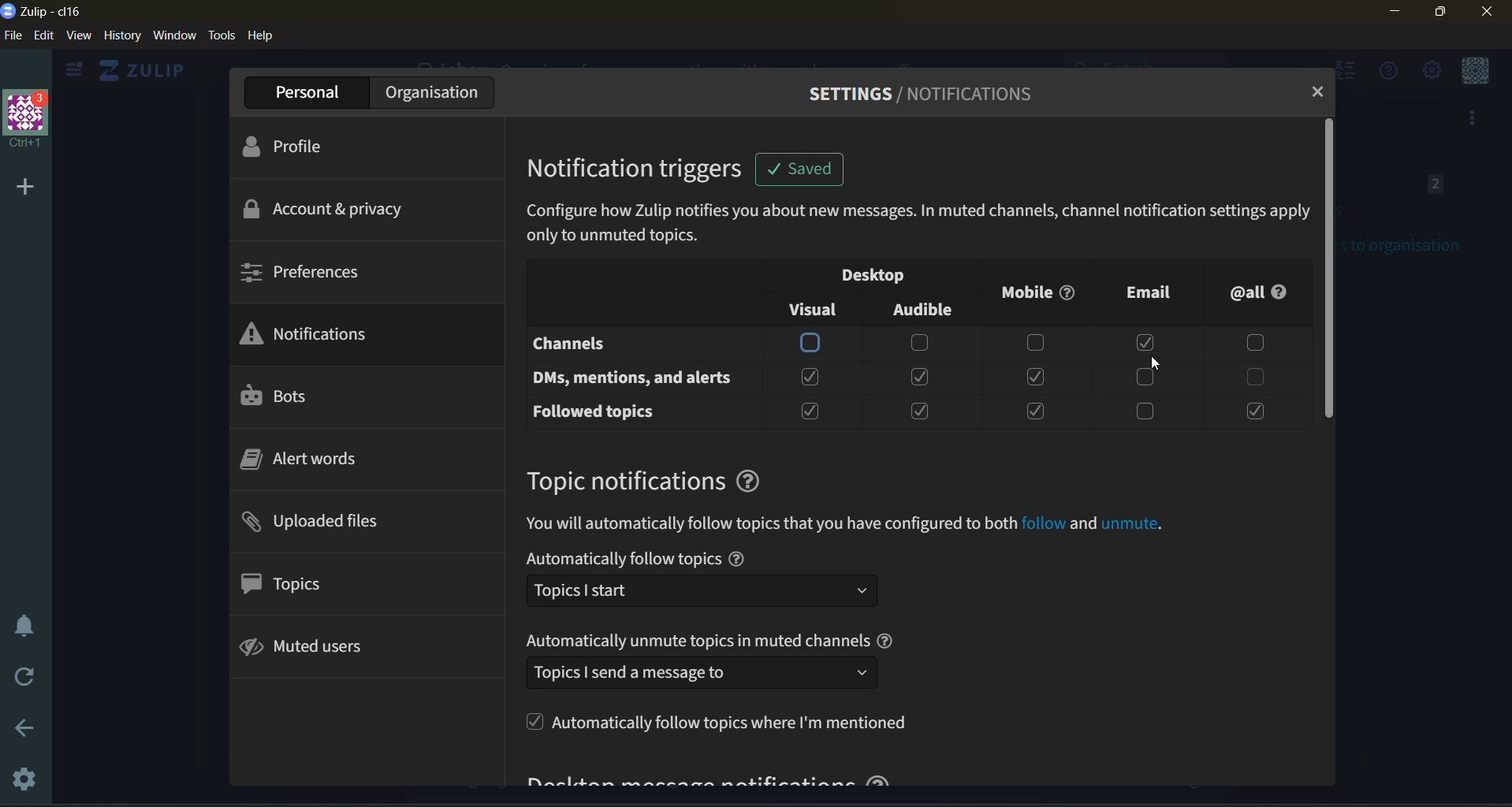  Describe the element at coordinates (1149, 342) in the screenshot. I see `checkbox` at that location.